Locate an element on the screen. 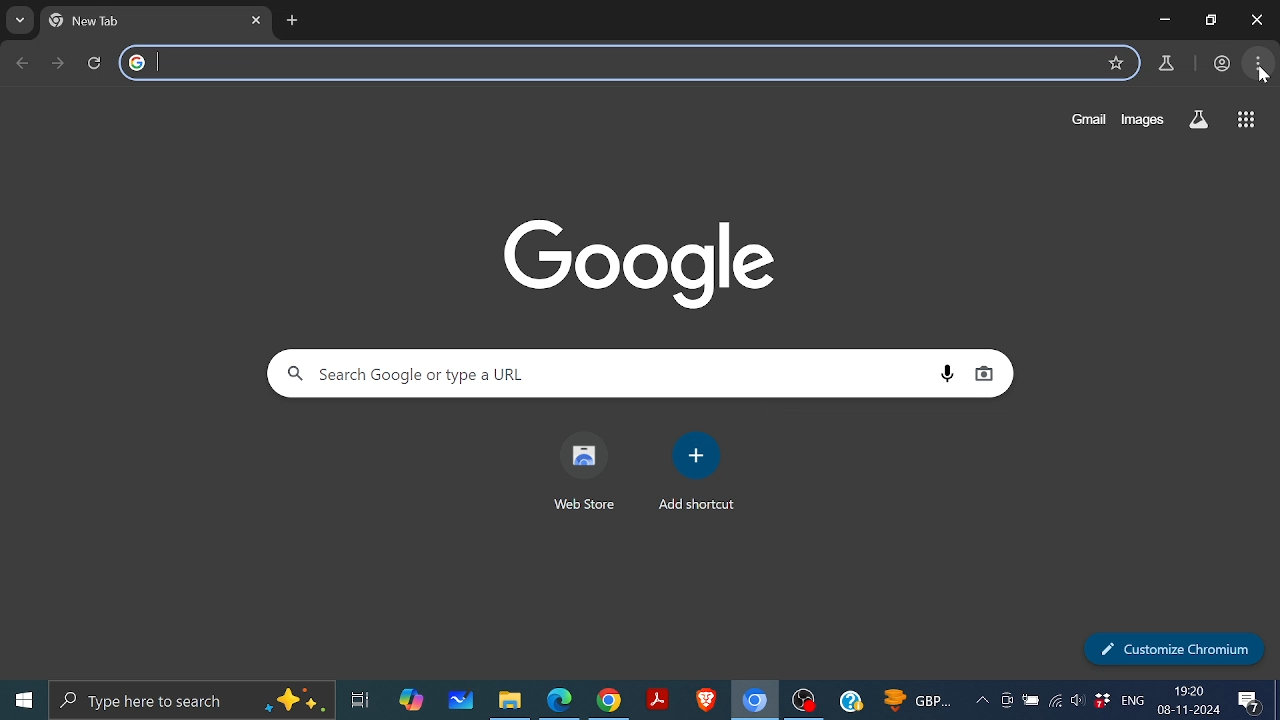 Image resolution: width=1280 pixels, height=720 pixels. Add shortcut is located at coordinates (698, 476).